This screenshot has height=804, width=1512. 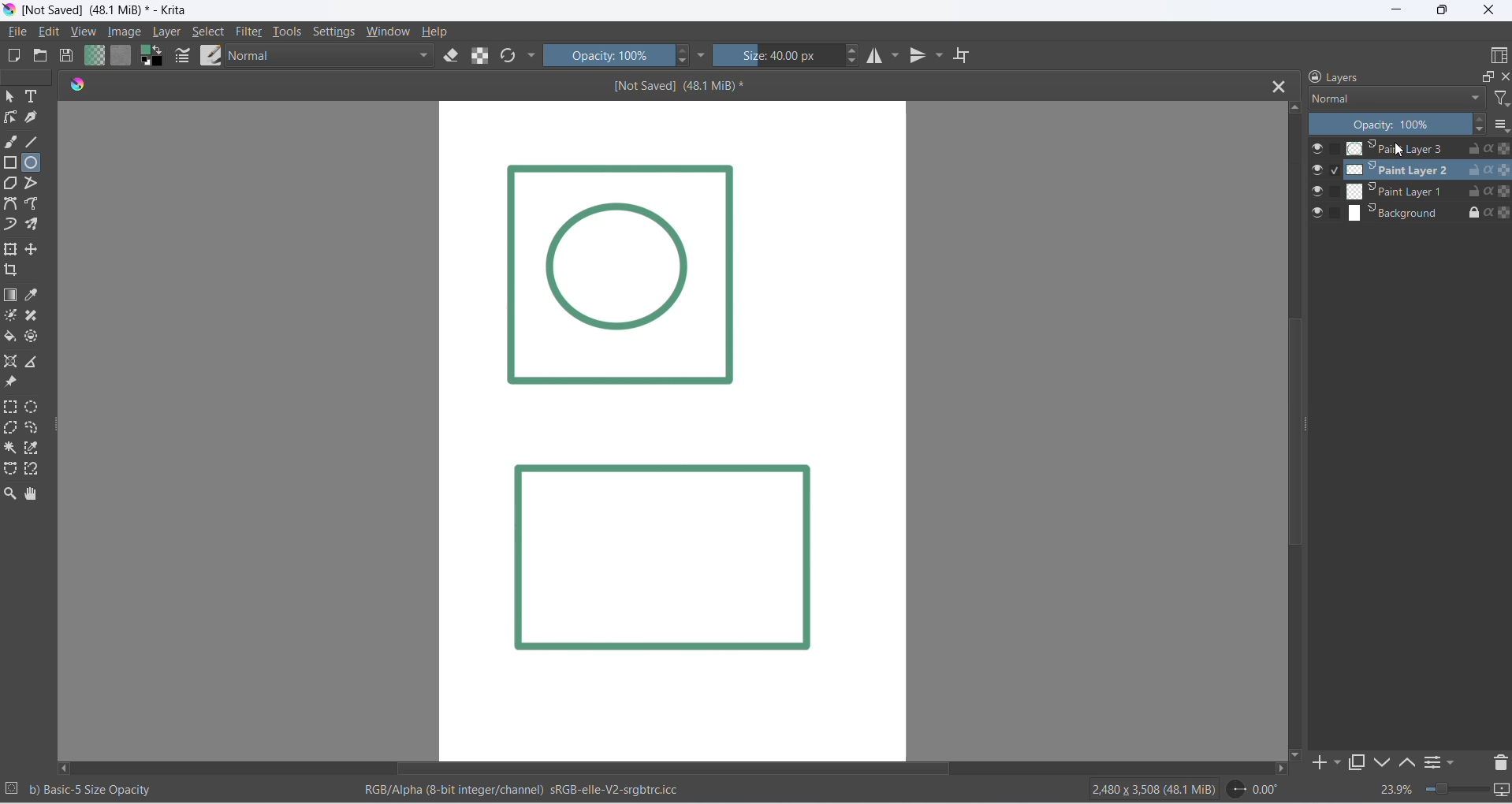 What do you see at coordinates (1503, 124) in the screenshot?
I see `options` at bounding box center [1503, 124].